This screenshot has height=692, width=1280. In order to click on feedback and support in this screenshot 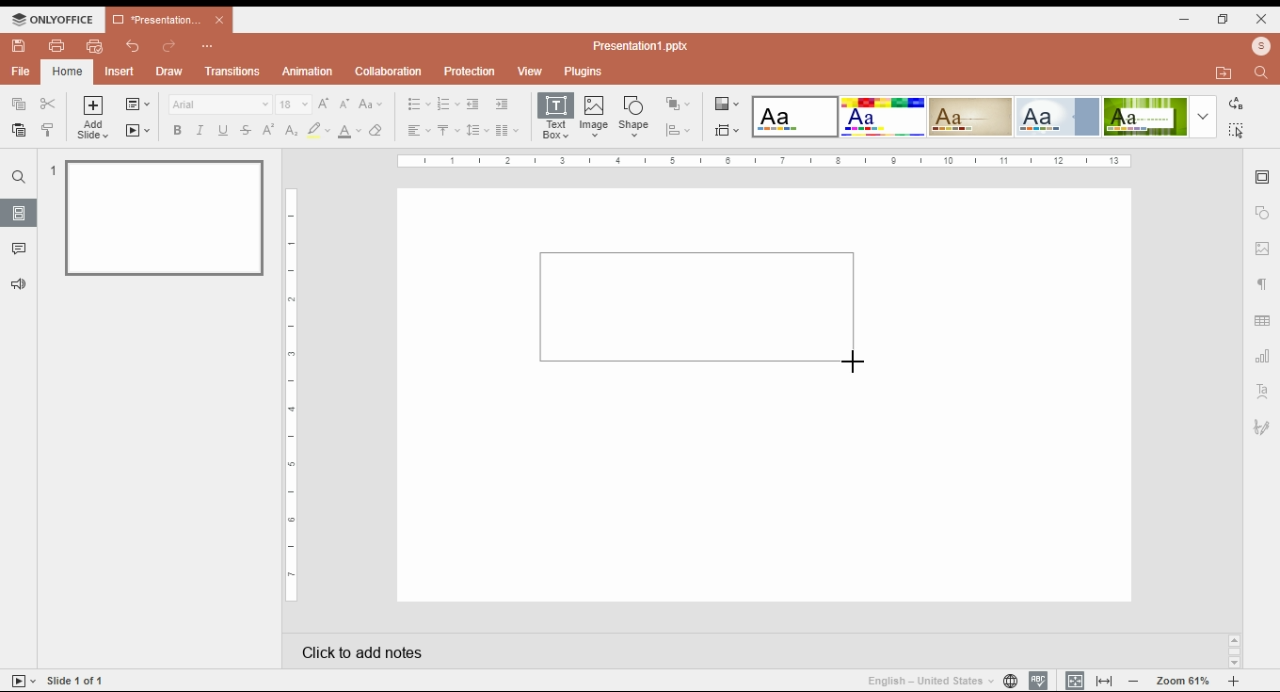, I will do `click(17, 283)`.